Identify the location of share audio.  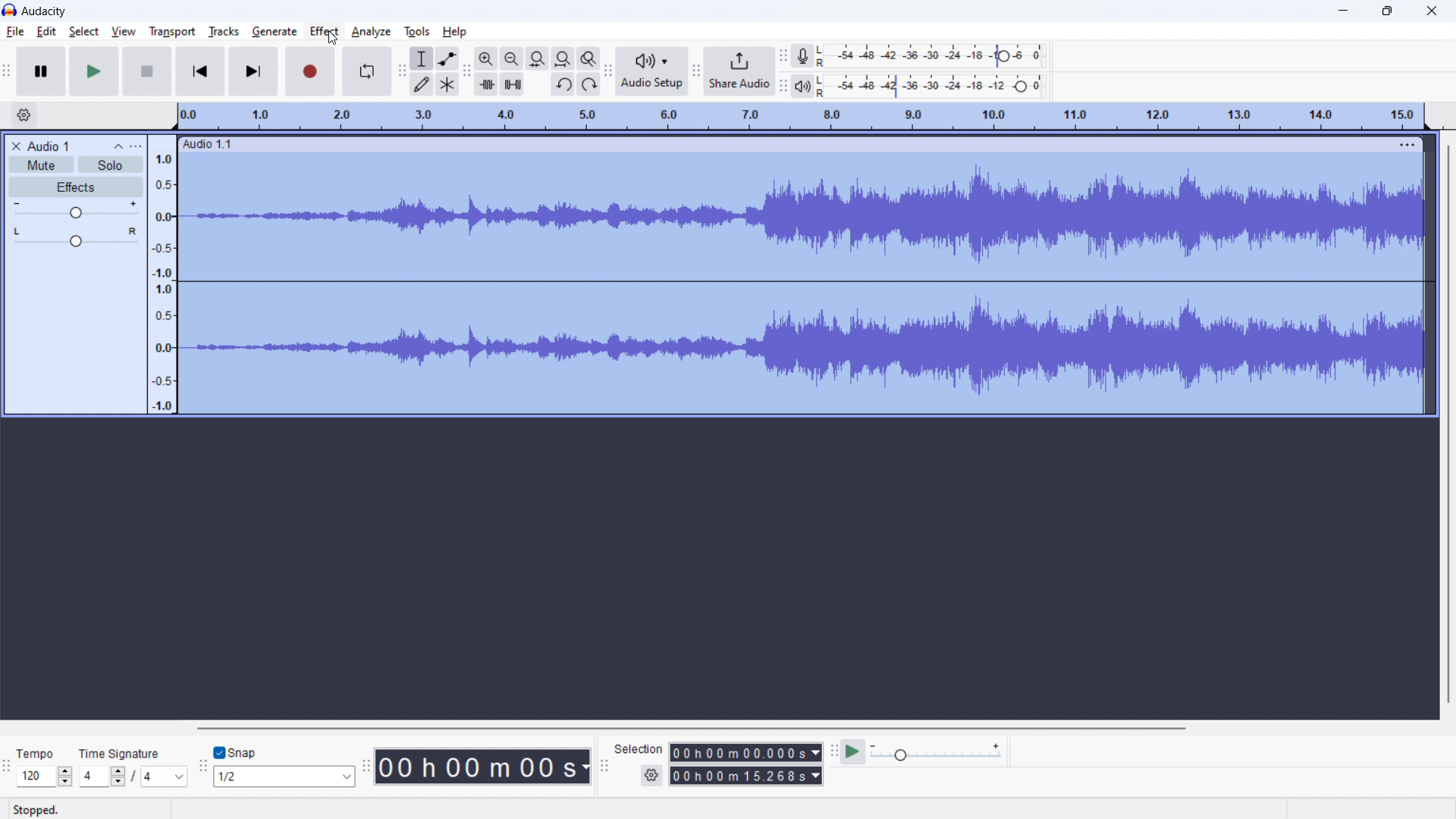
(739, 70).